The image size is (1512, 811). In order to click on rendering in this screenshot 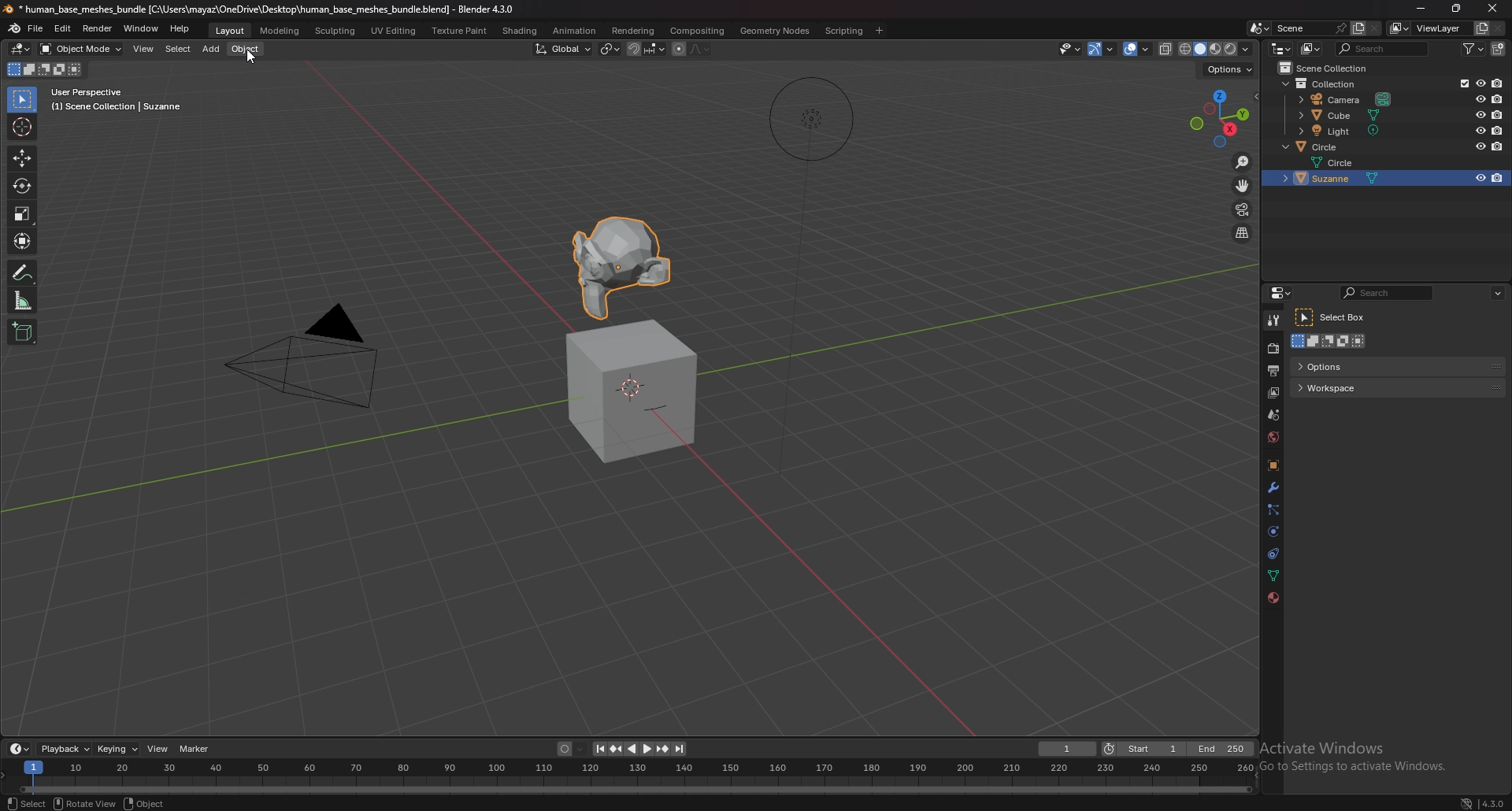, I will do `click(634, 31)`.